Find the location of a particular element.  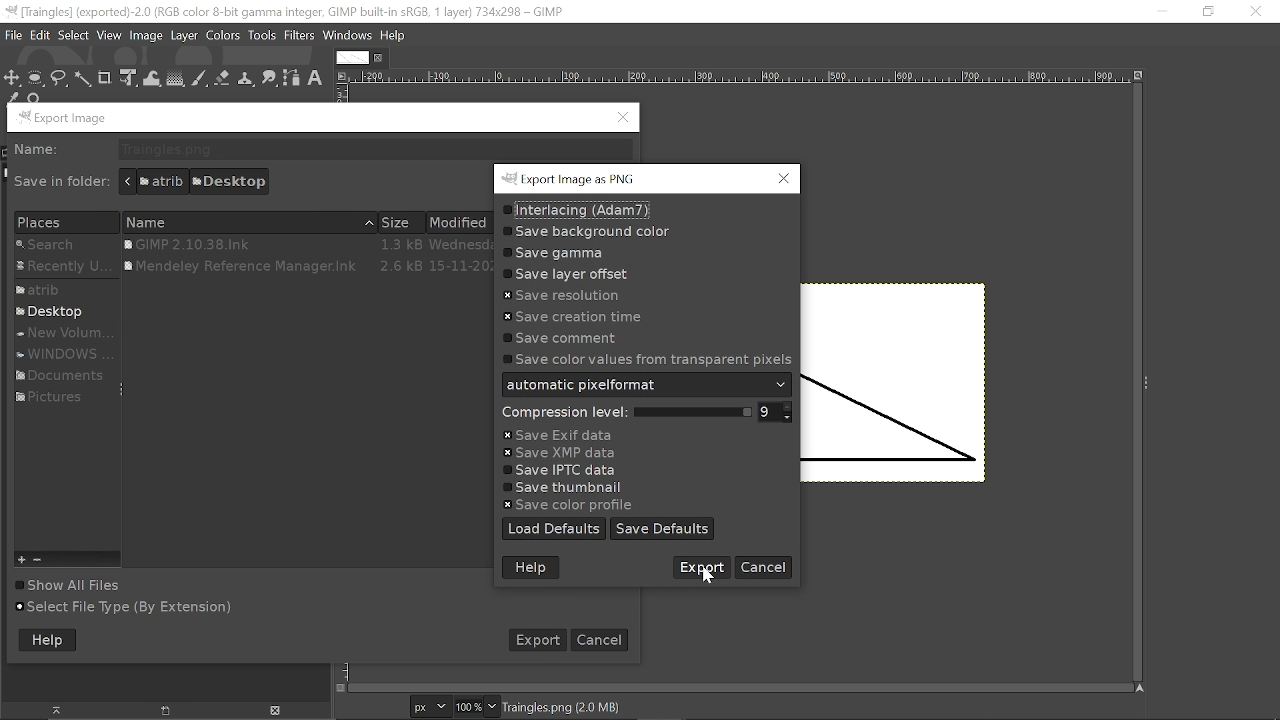

Clone tool is located at coordinates (246, 79).